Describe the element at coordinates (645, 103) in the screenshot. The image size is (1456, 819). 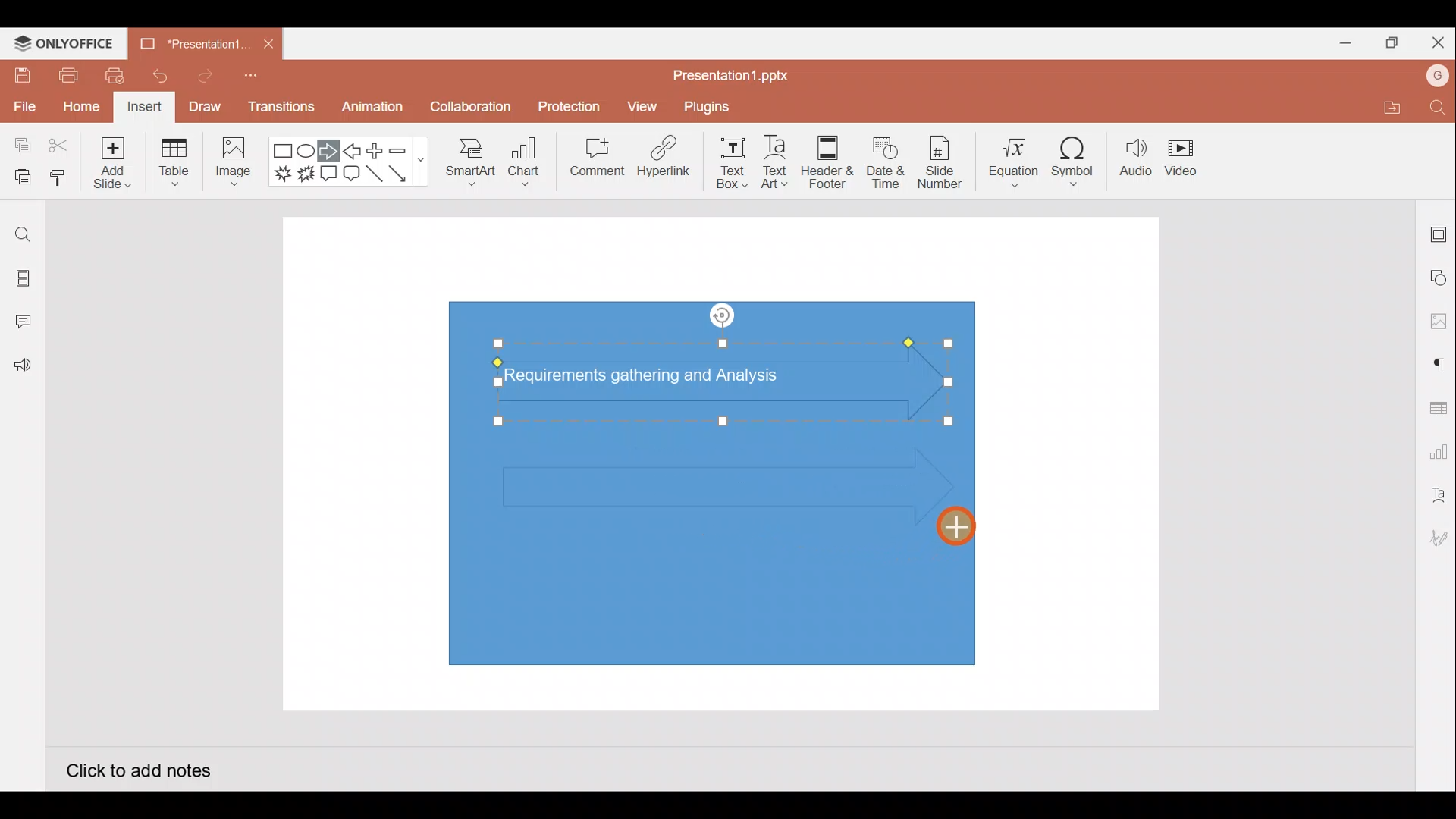
I see `View` at that location.